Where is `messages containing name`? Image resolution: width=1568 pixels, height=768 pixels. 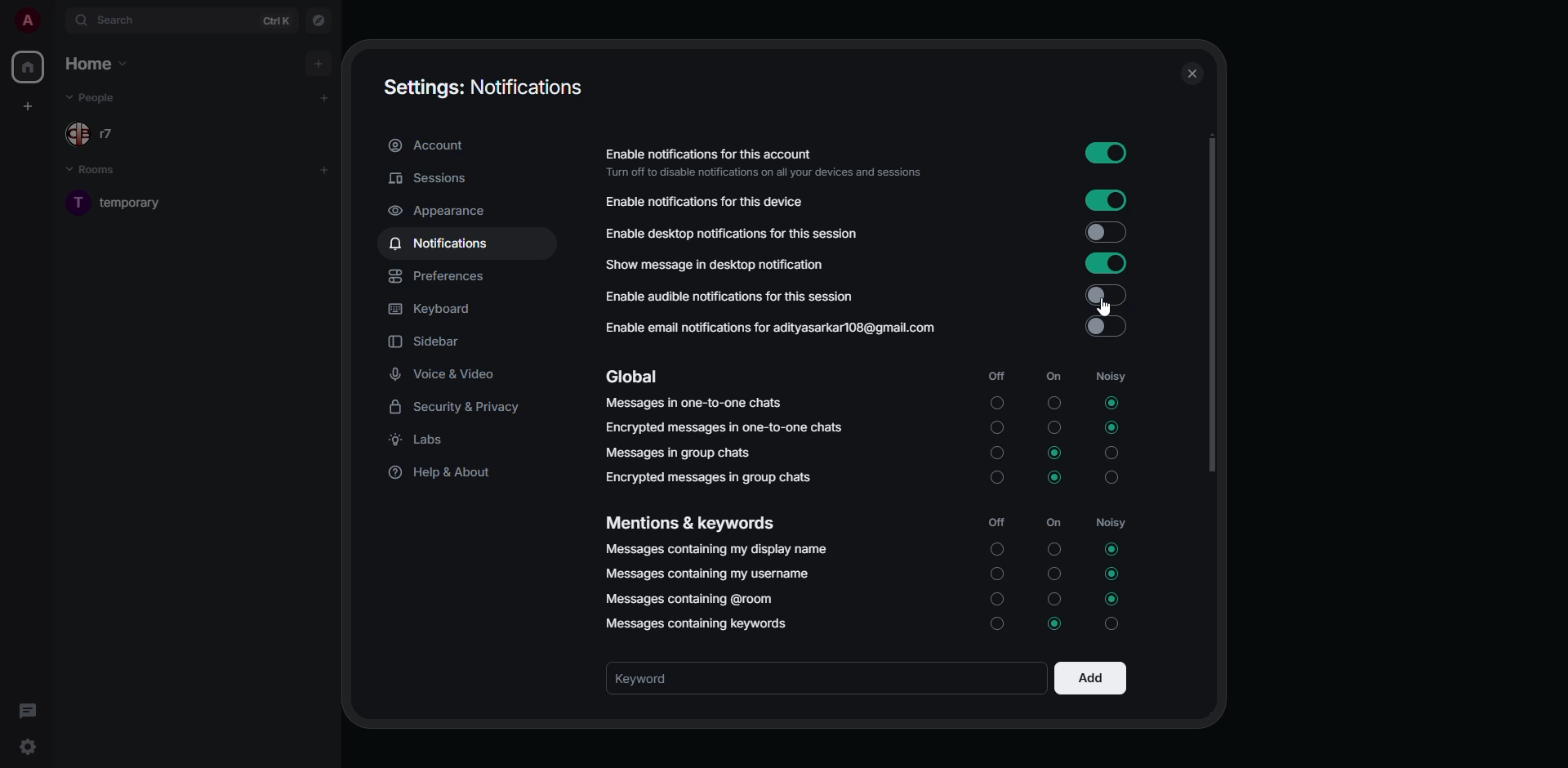 messages containing name is located at coordinates (716, 549).